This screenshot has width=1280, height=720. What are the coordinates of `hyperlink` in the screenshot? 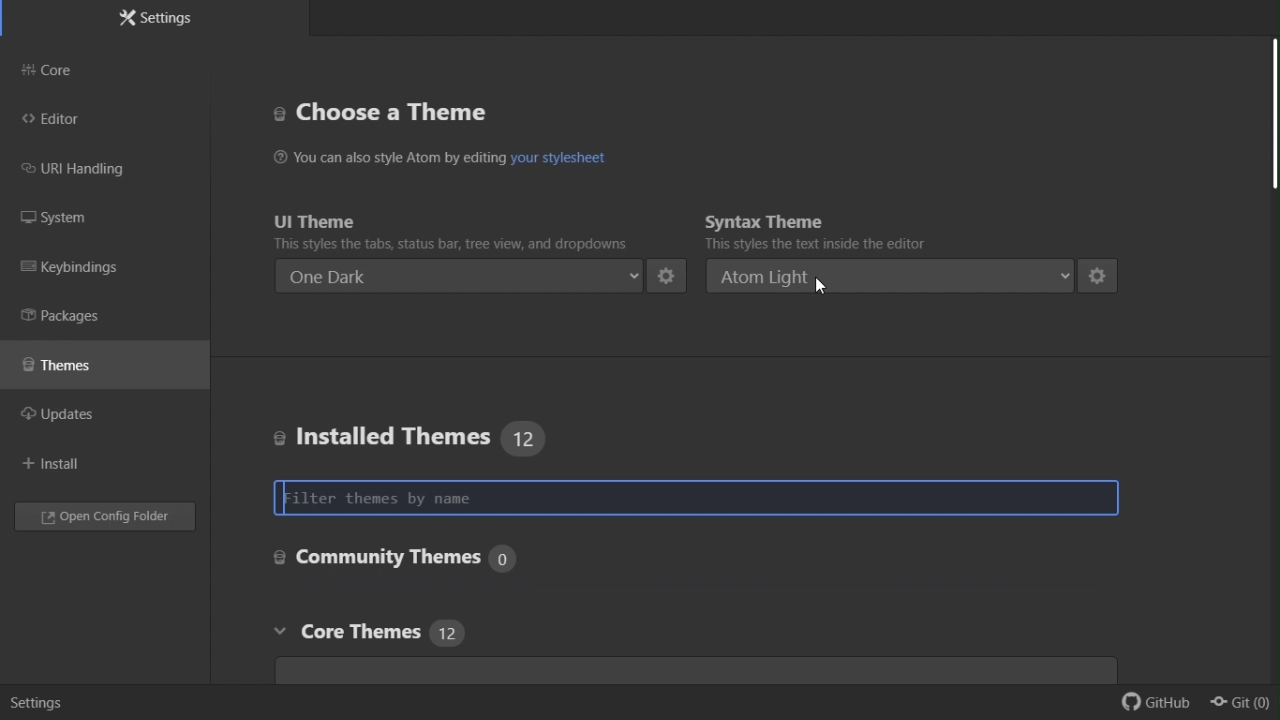 It's located at (559, 160).